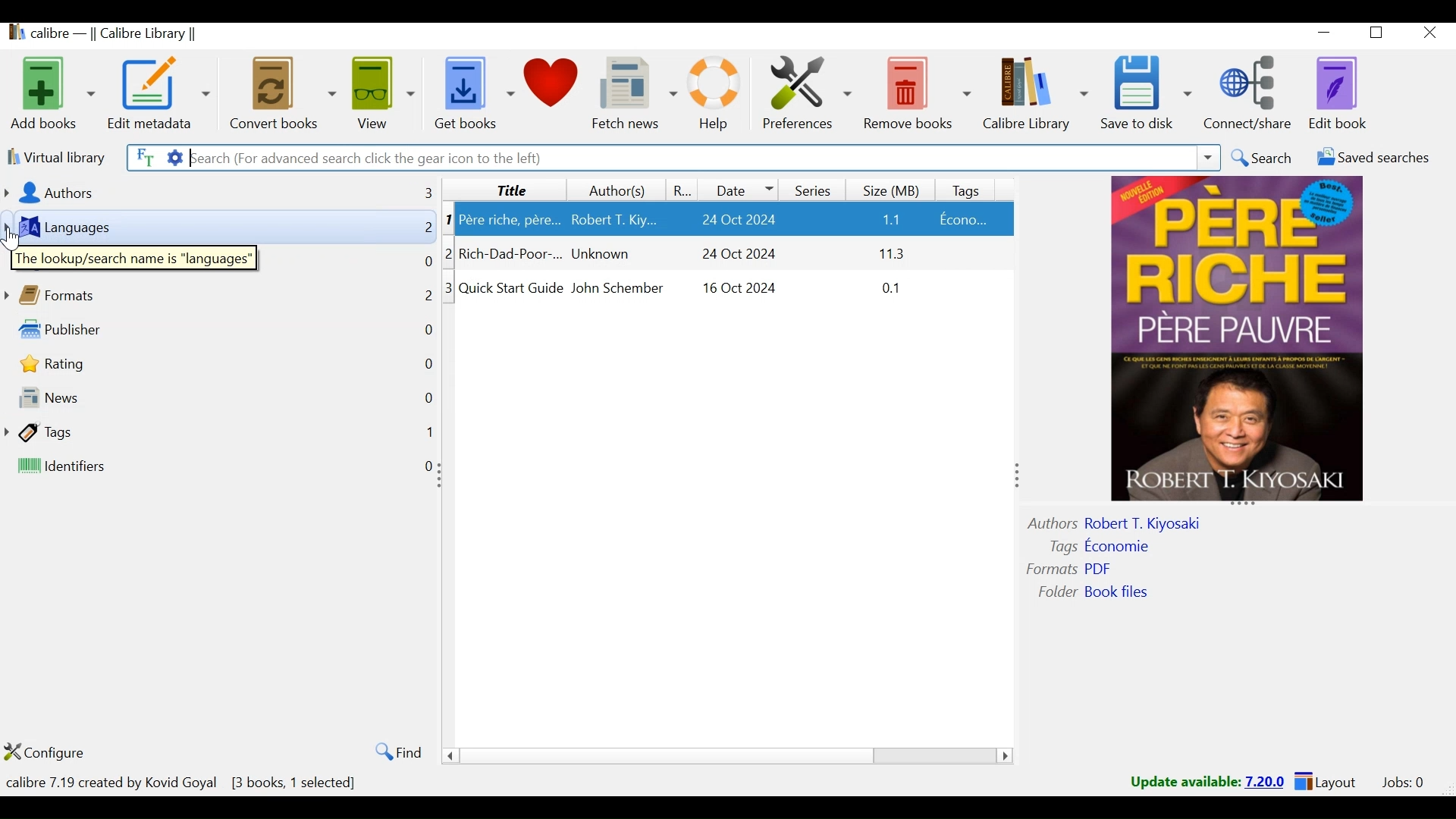 This screenshot has height=819, width=1456. What do you see at coordinates (135, 467) in the screenshot?
I see `Identifiers` at bounding box center [135, 467].